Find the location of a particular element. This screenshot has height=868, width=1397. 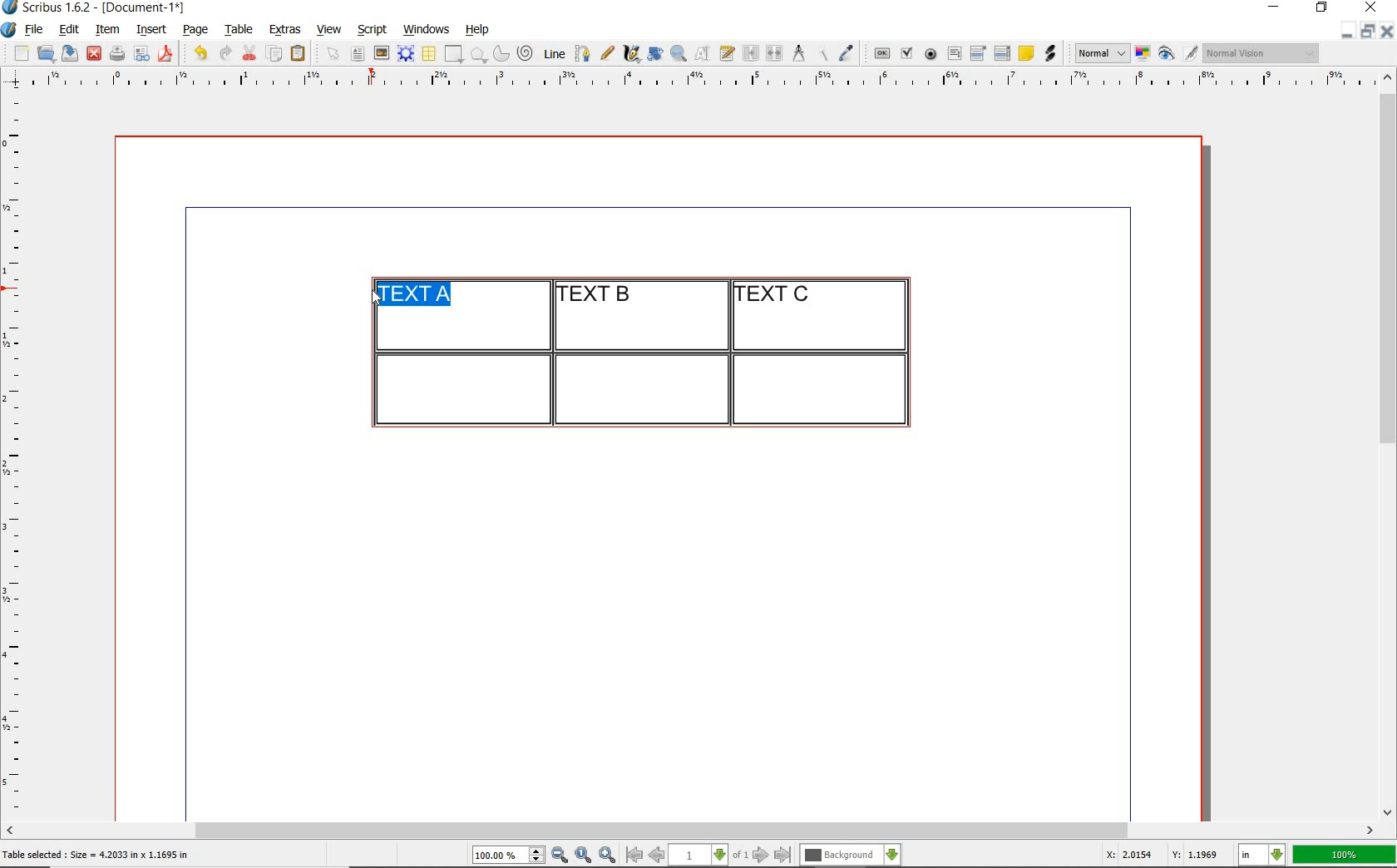

copy is located at coordinates (275, 55).